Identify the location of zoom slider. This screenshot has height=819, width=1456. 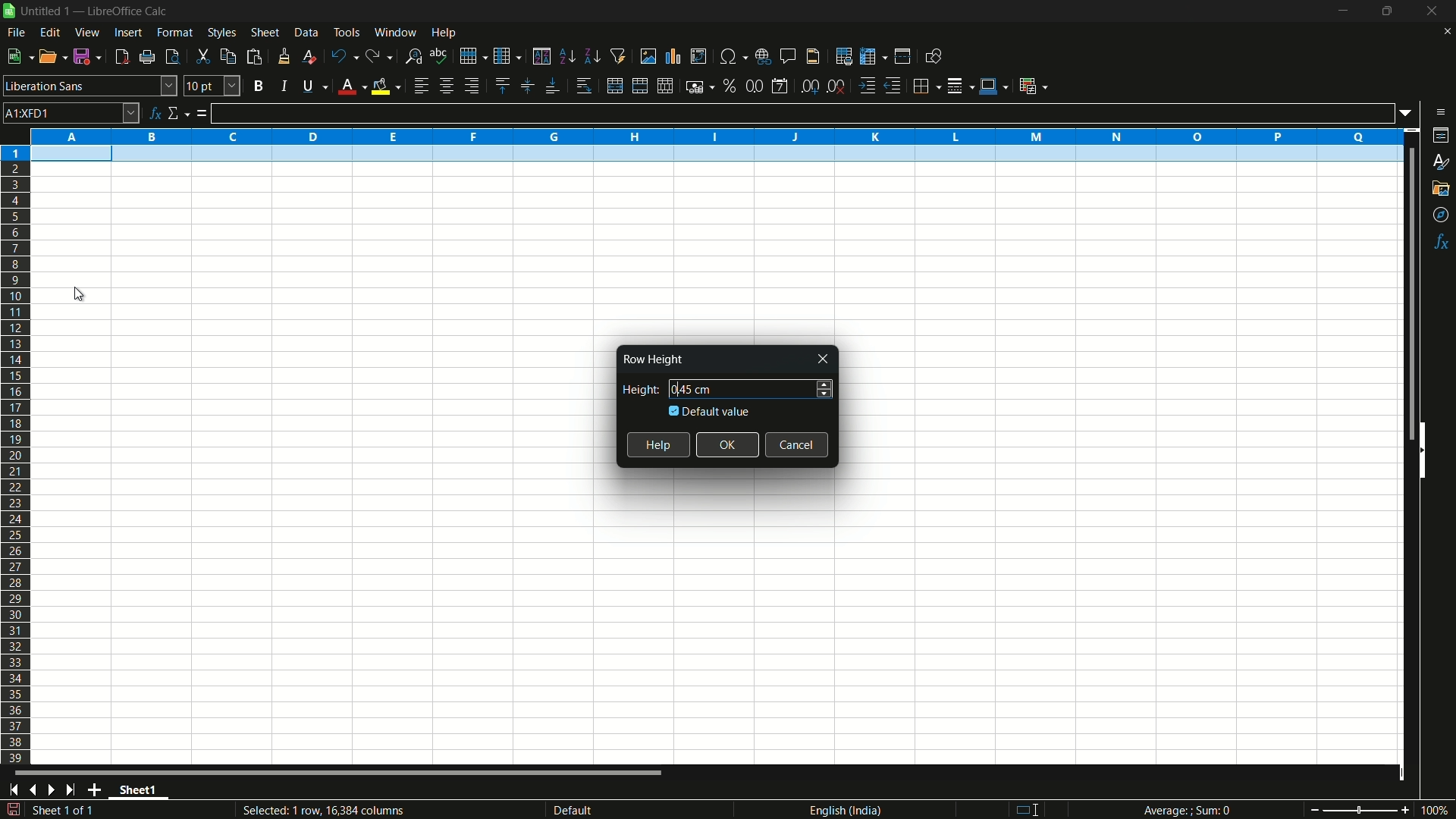
(1359, 809).